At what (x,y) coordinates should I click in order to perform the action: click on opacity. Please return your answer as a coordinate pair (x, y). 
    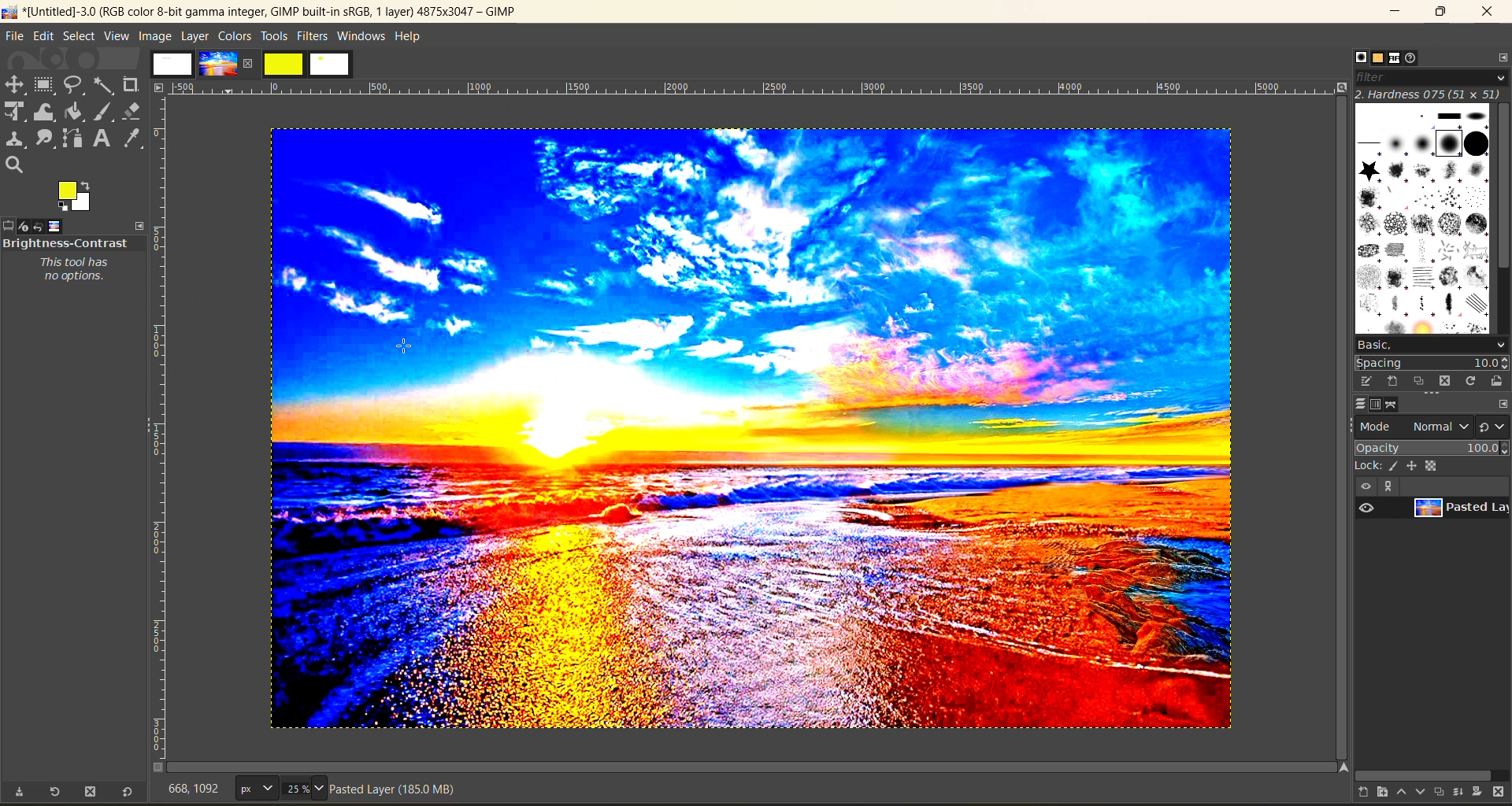
    Looking at the image, I should click on (1432, 447).